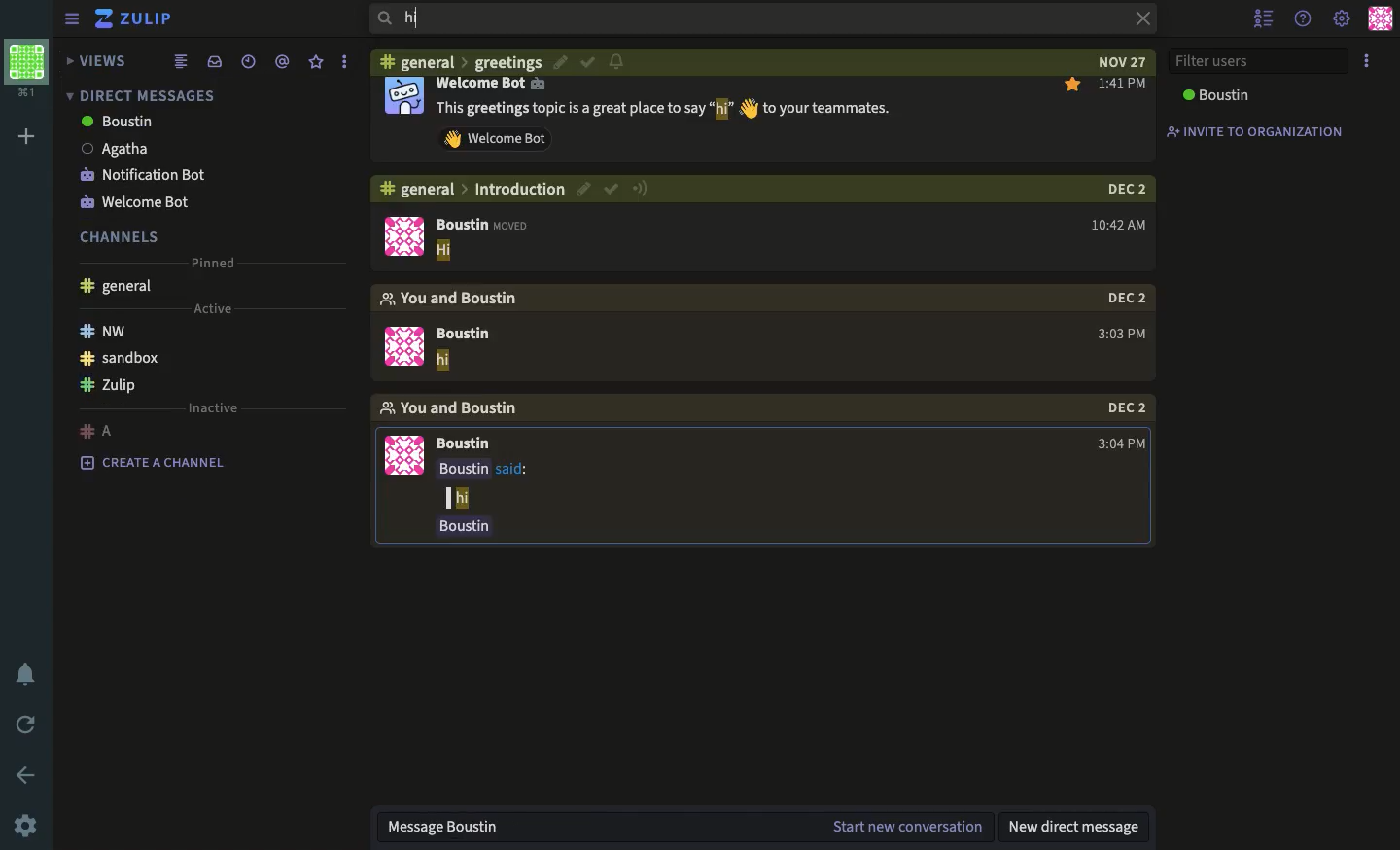 The image size is (1400, 850). I want to click on Welcome Bot, so click(492, 86).